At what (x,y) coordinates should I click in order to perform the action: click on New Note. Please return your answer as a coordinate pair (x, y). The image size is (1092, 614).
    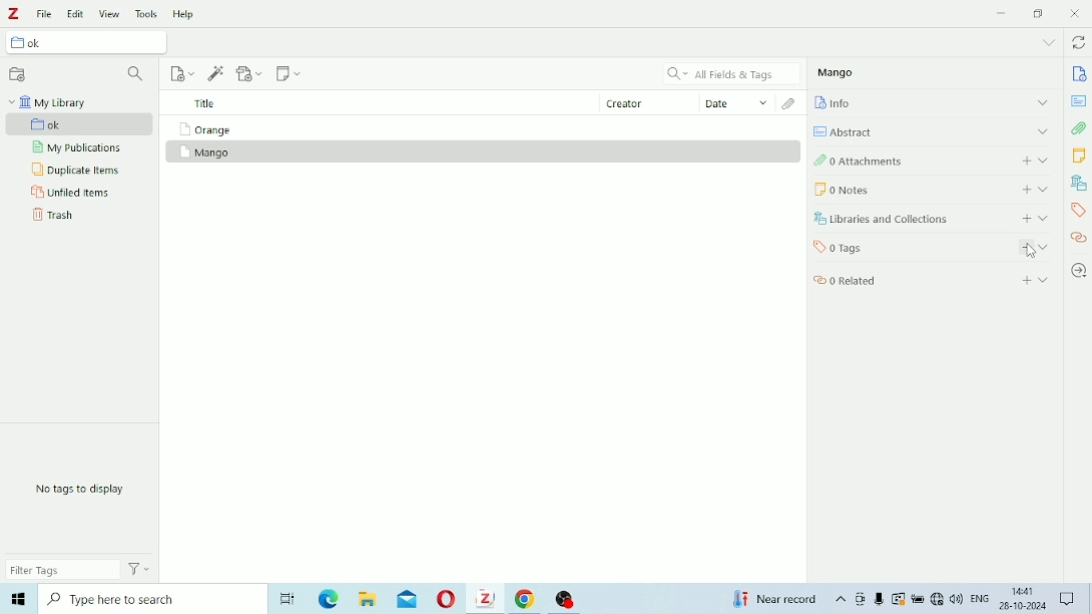
    Looking at the image, I should click on (289, 74).